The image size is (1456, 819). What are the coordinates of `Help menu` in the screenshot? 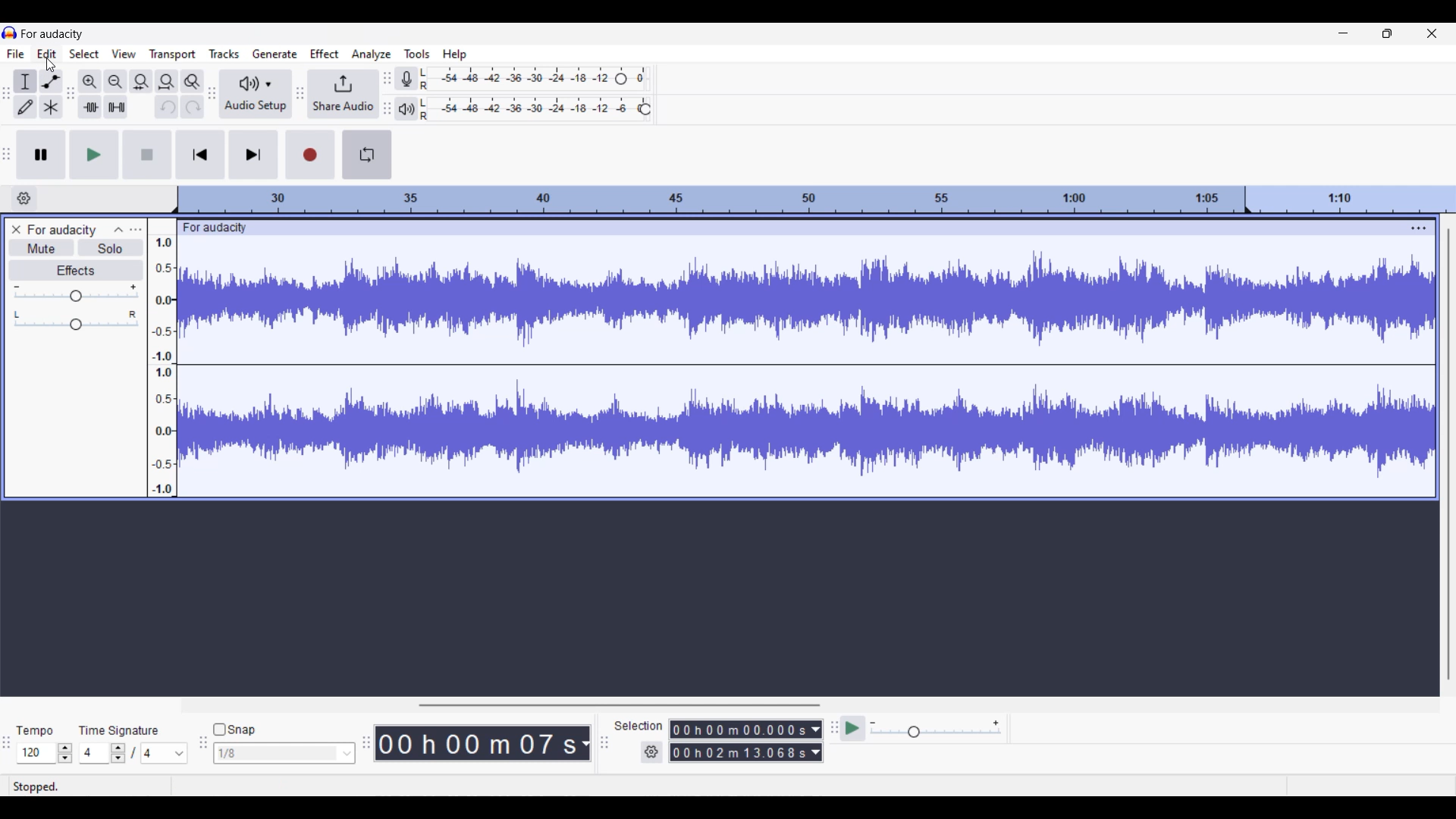 It's located at (455, 55).